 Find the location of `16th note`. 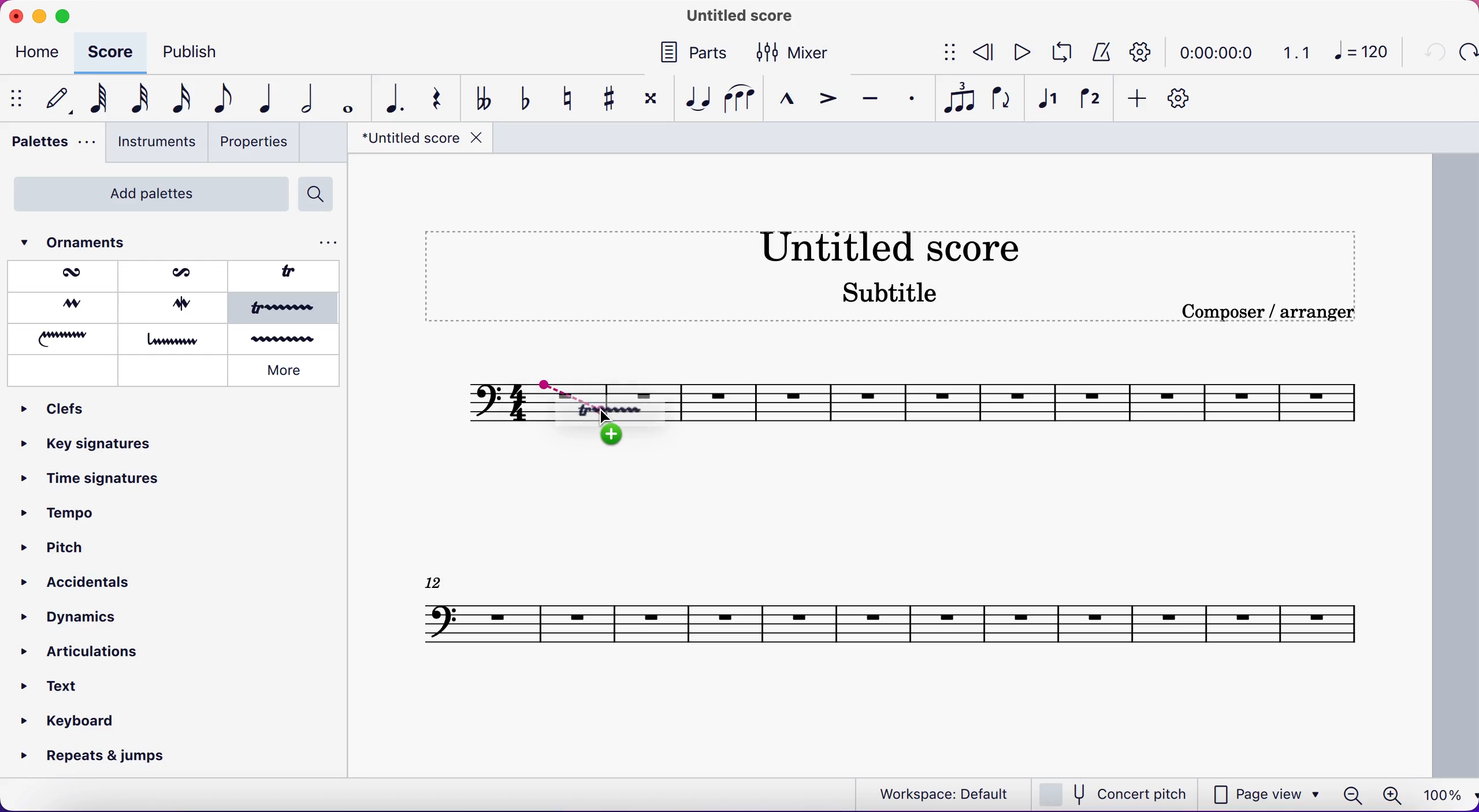

16th note is located at coordinates (179, 100).